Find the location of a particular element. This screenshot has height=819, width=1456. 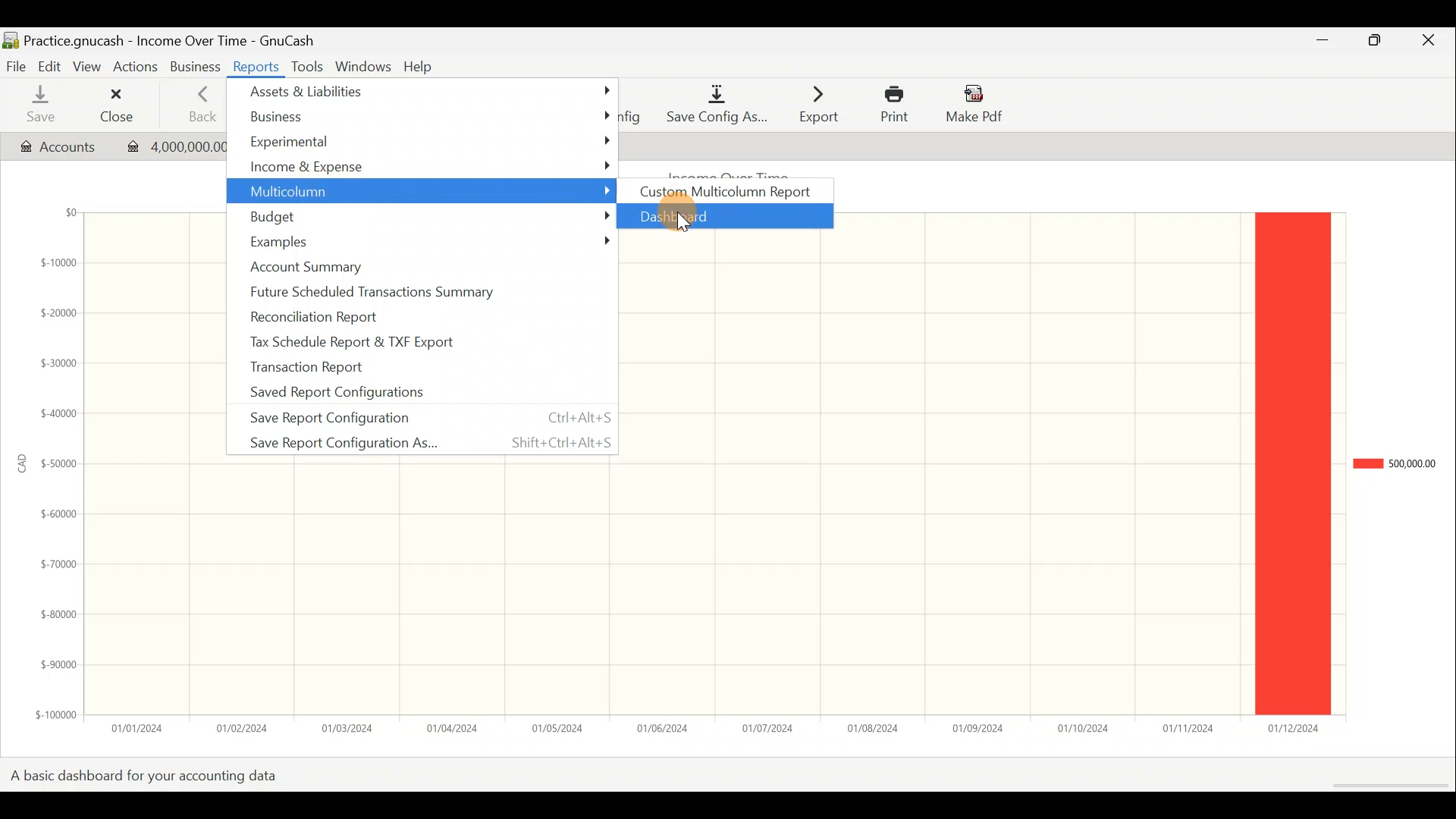

Document name is located at coordinates (169, 36).